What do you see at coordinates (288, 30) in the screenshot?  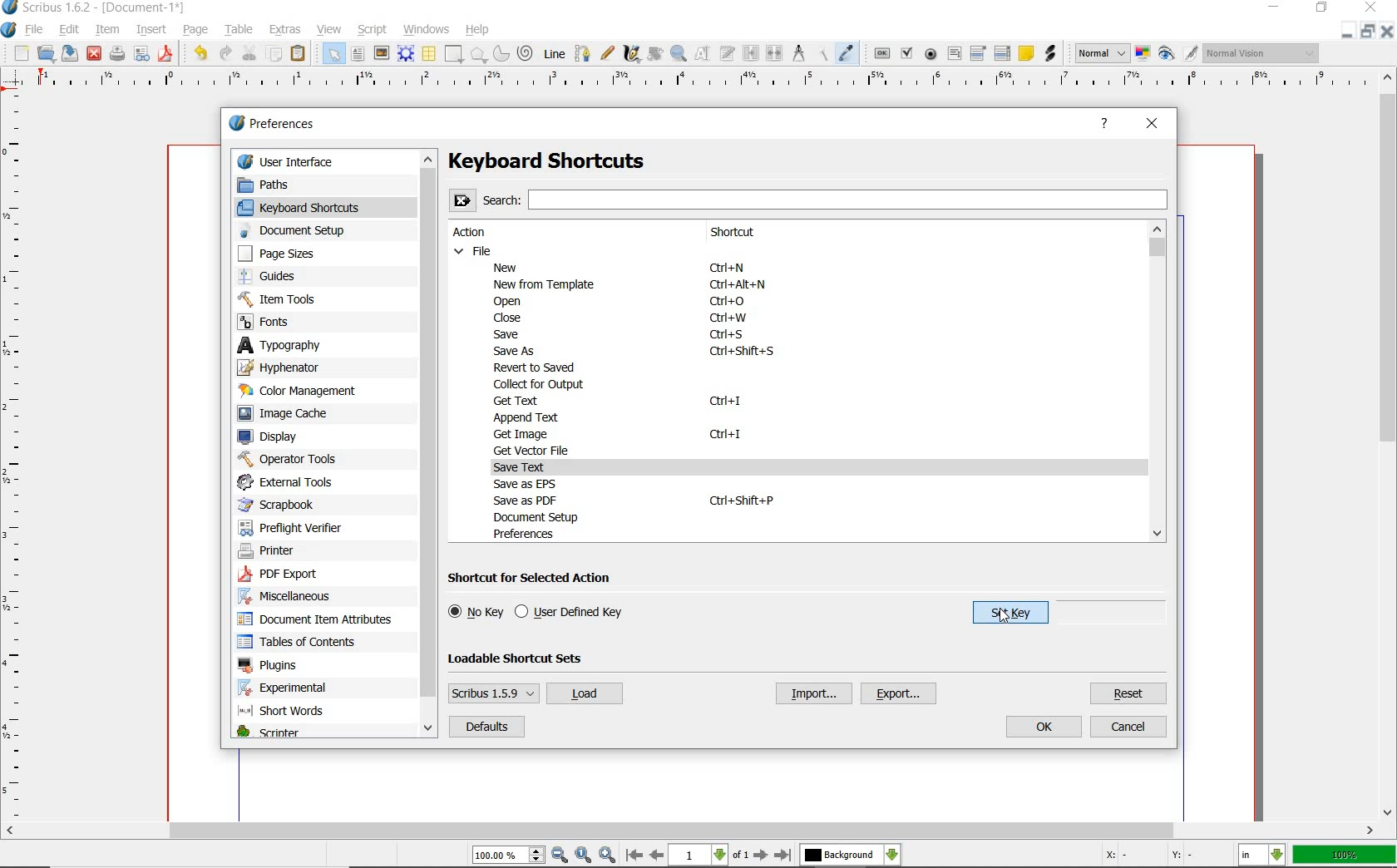 I see `extras` at bounding box center [288, 30].